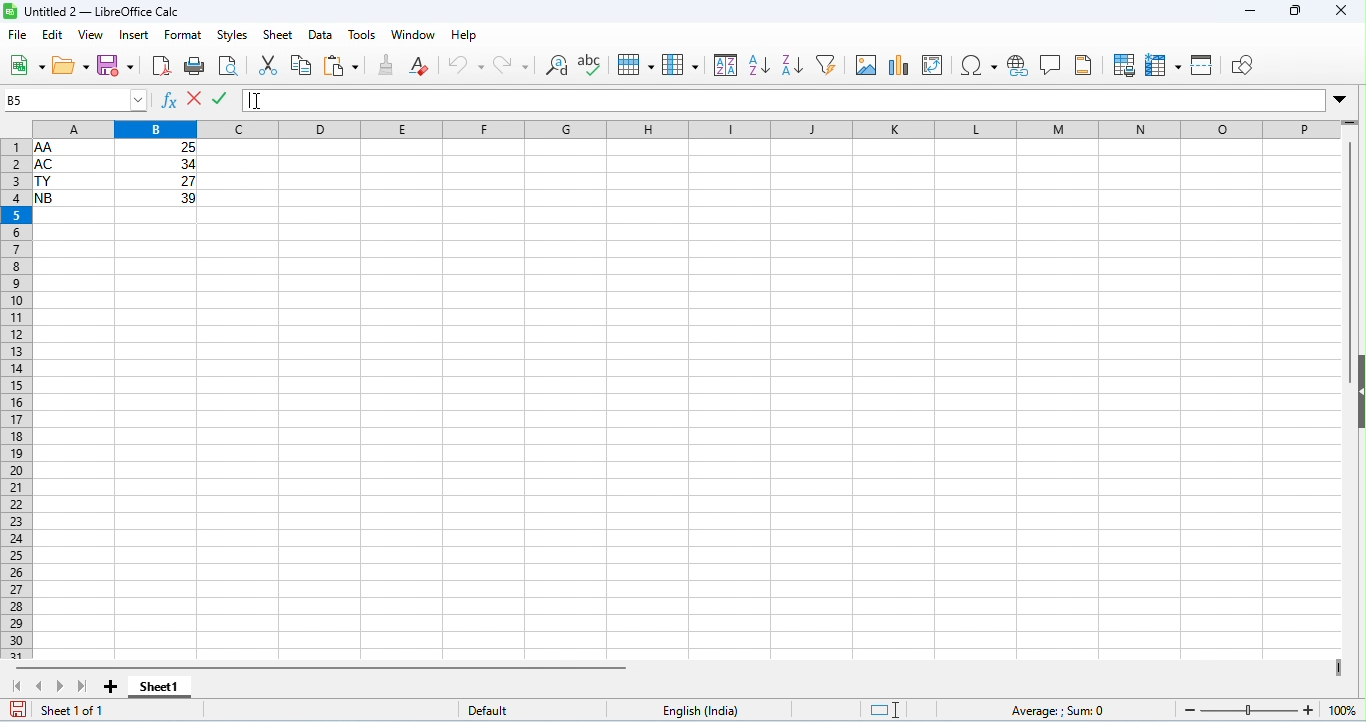 The width and height of the screenshot is (1366, 722). What do you see at coordinates (321, 36) in the screenshot?
I see `data` at bounding box center [321, 36].